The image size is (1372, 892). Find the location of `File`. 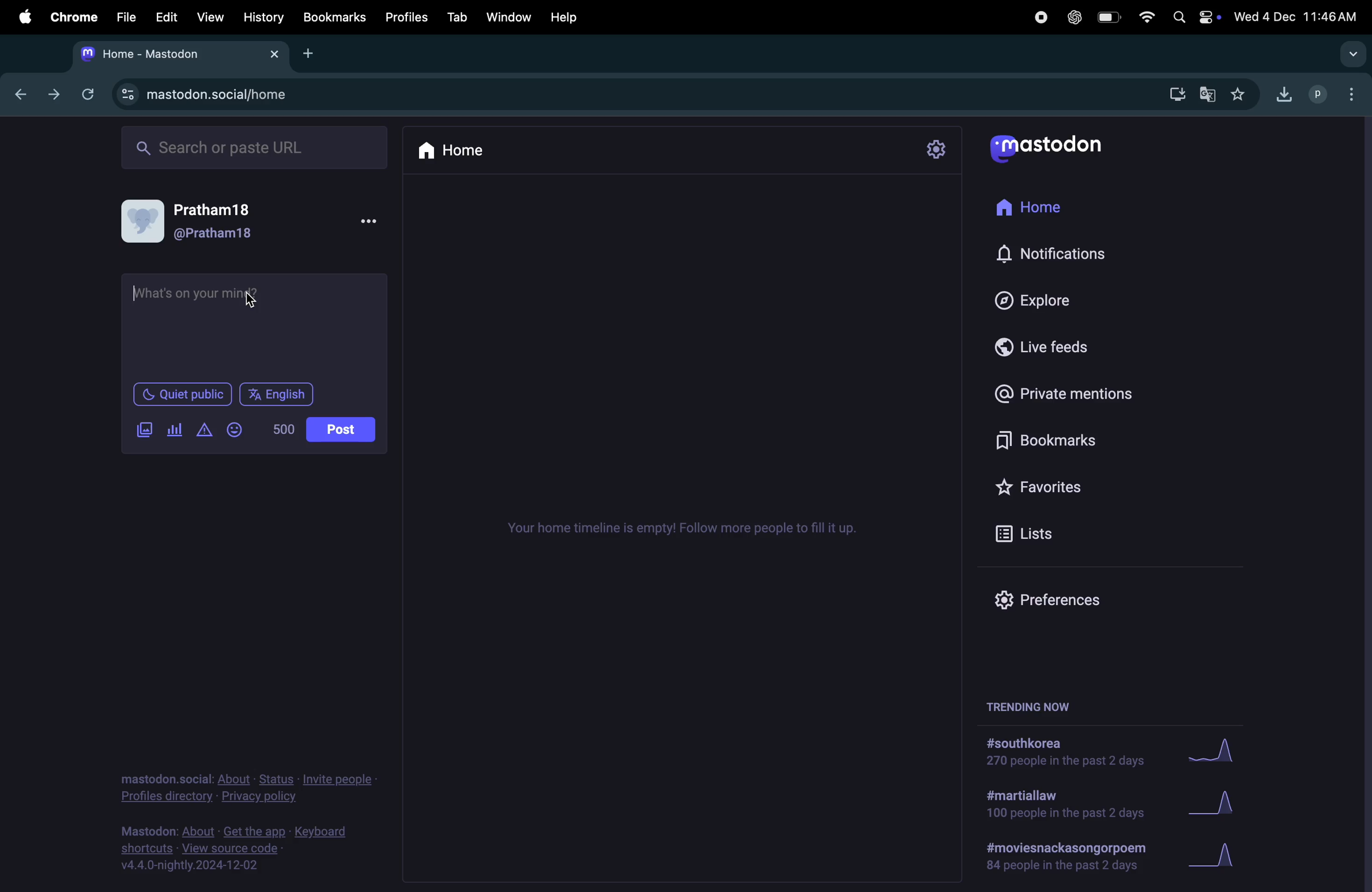

File is located at coordinates (123, 17).